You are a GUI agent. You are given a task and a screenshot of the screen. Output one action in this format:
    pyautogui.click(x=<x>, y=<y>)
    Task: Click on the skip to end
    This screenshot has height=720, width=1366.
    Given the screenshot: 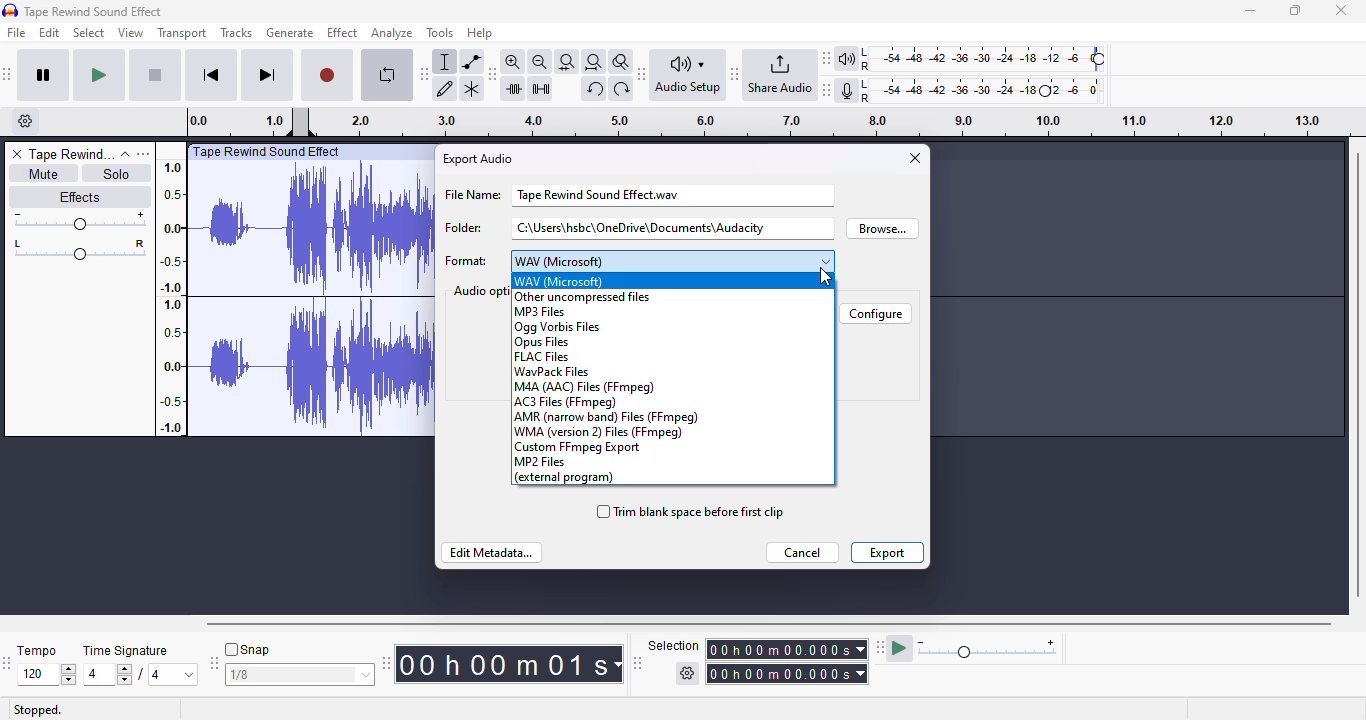 What is the action you would take?
    pyautogui.click(x=268, y=76)
    